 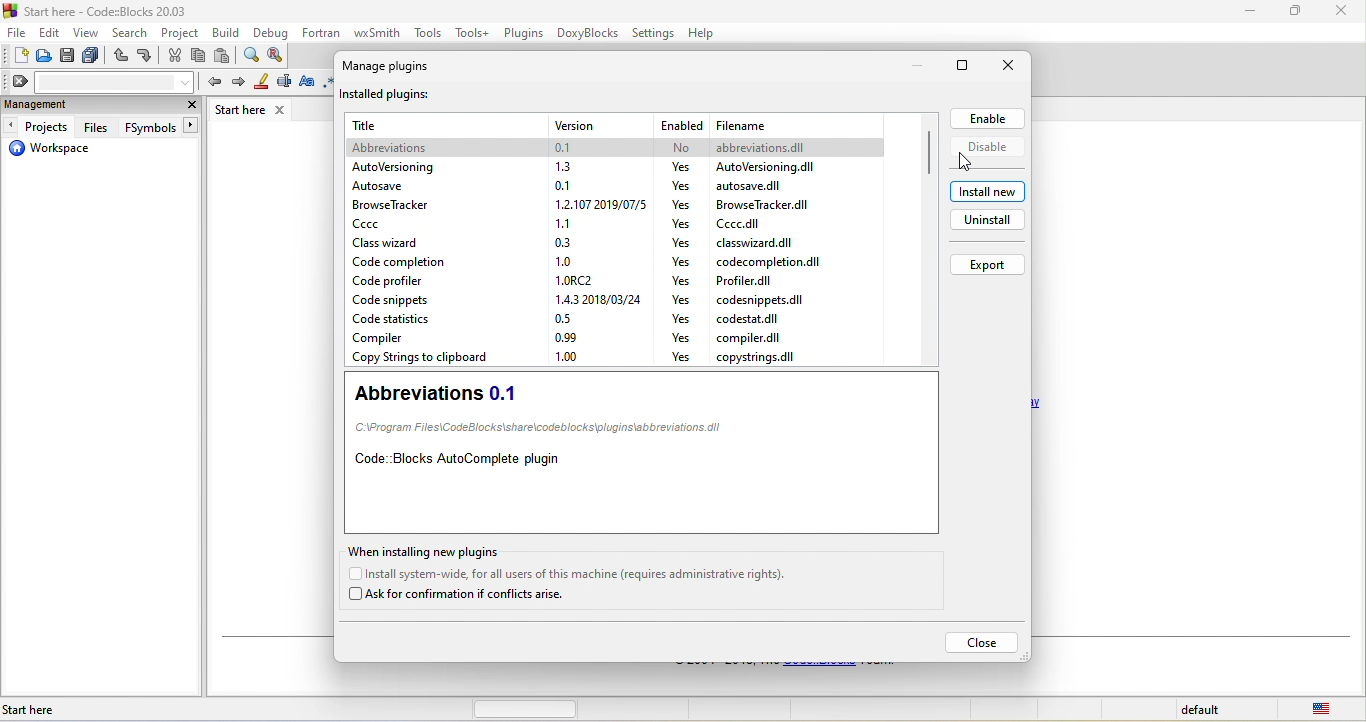 I want to click on projects, so click(x=41, y=125).